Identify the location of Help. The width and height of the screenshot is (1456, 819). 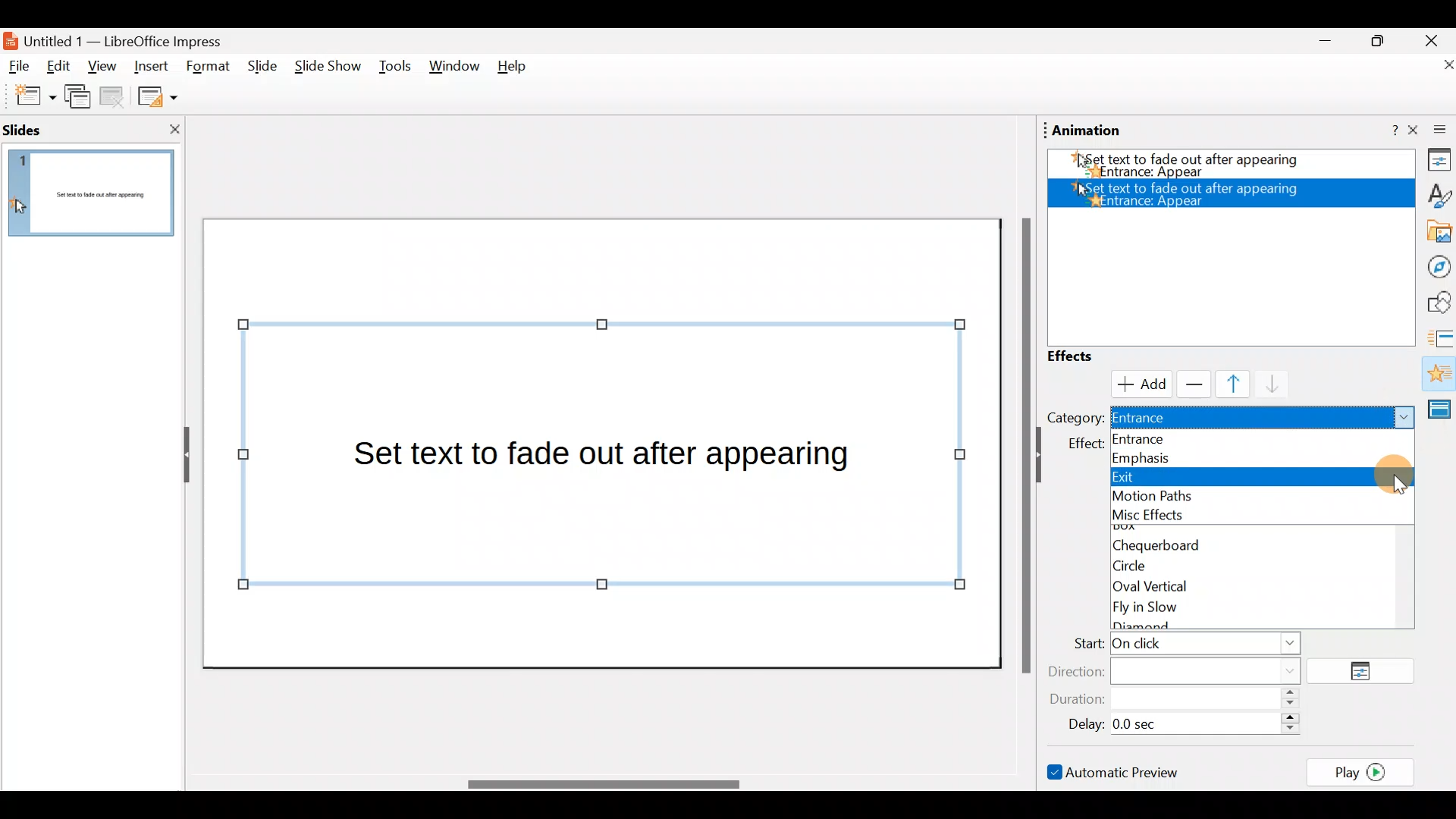
(1384, 131).